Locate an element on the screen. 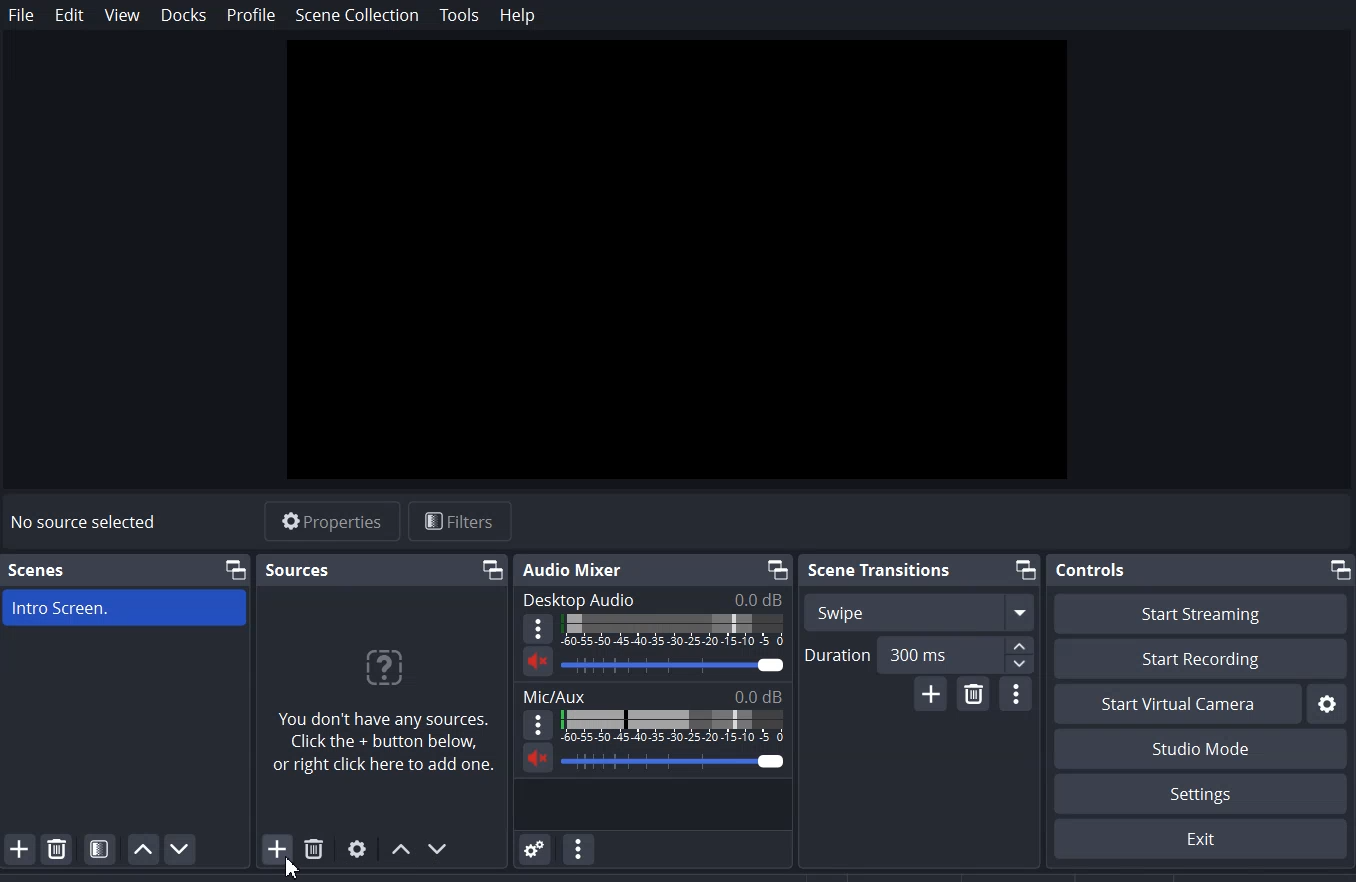 The image size is (1356, 882). Start Streaming is located at coordinates (1199, 613).